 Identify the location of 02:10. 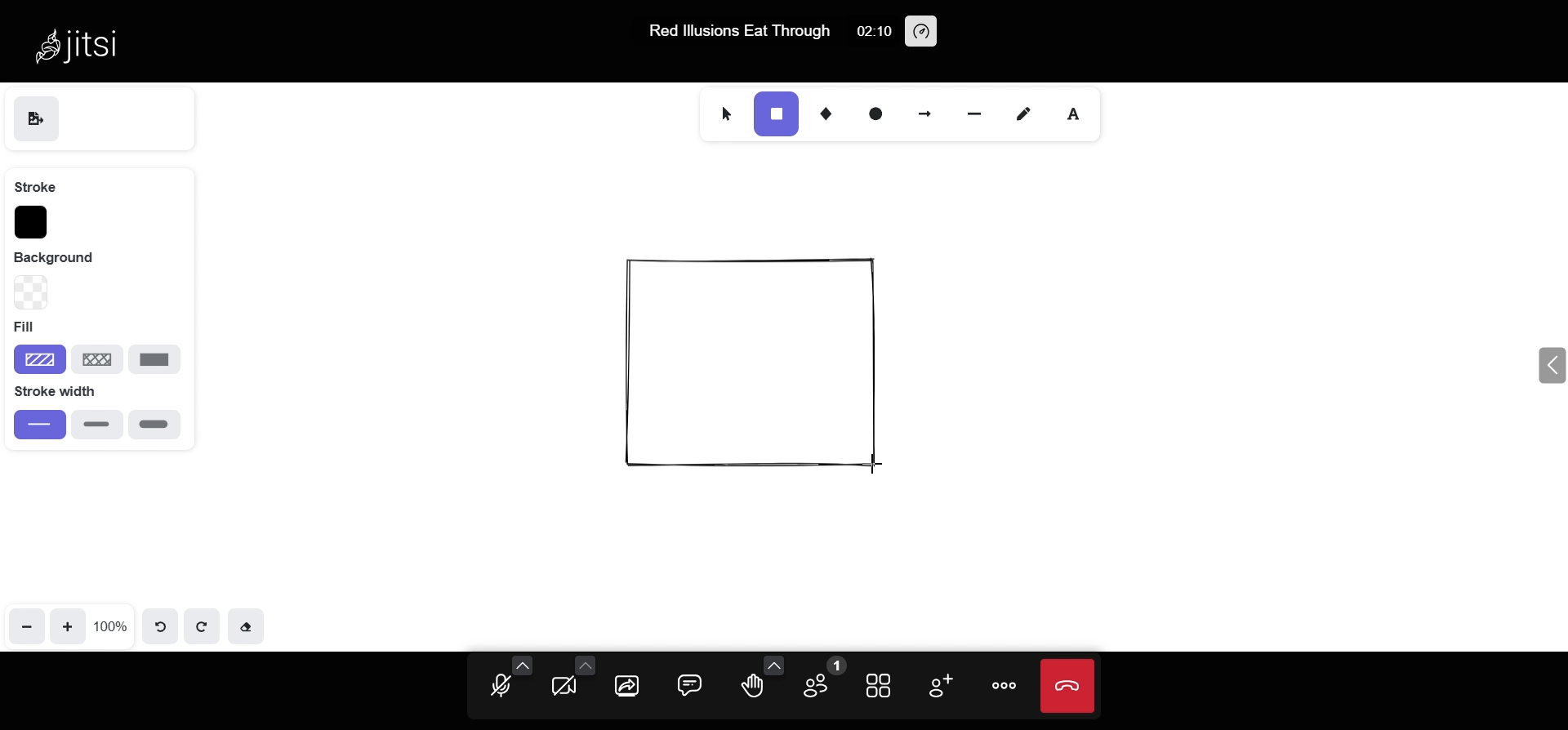
(872, 32).